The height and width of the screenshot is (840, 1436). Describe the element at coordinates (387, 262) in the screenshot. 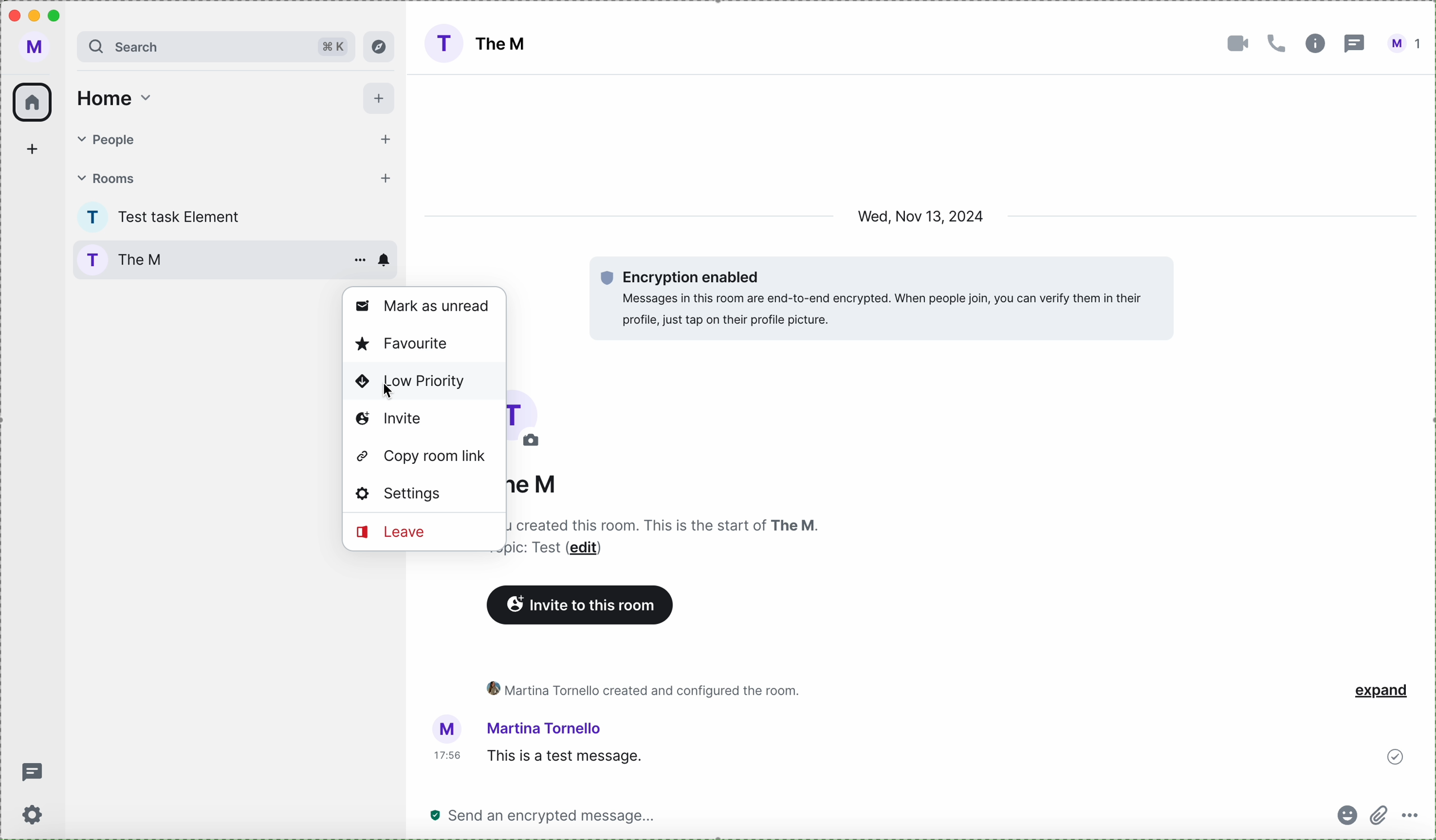

I see `enable notifications room` at that location.